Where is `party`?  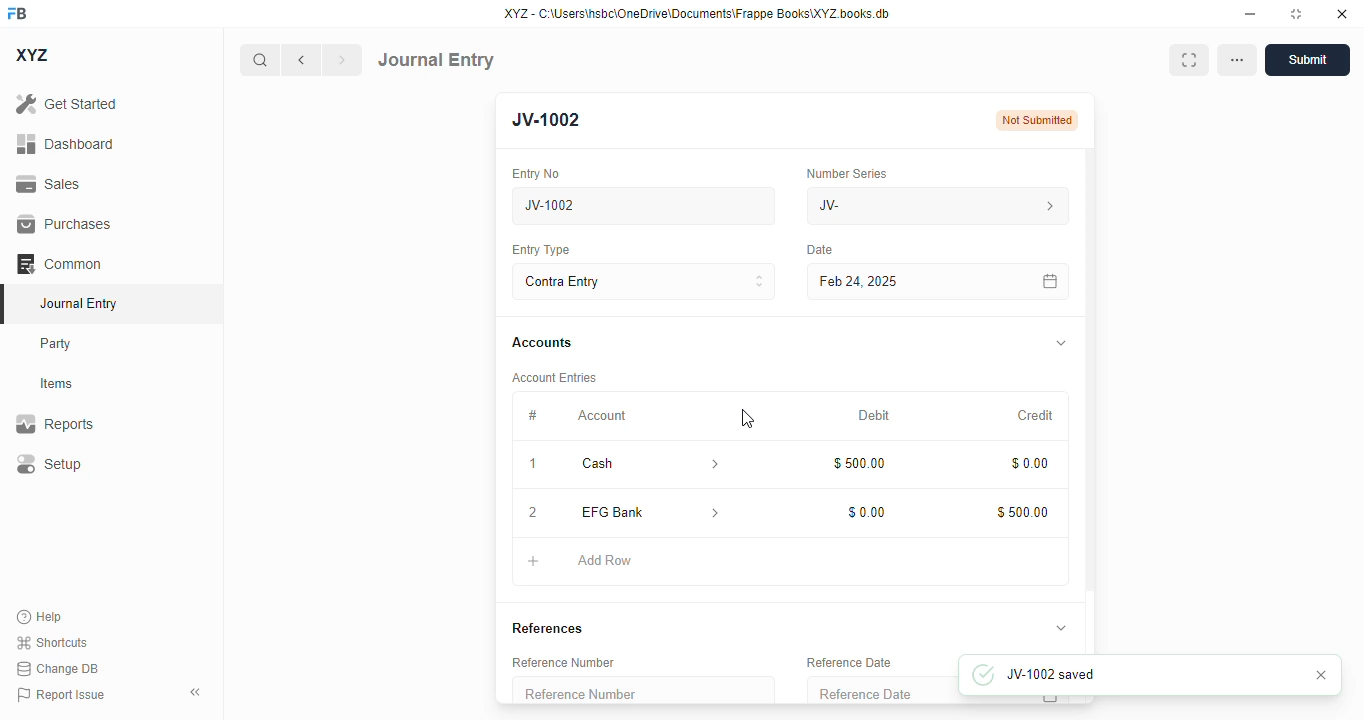
party is located at coordinates (58, 344).